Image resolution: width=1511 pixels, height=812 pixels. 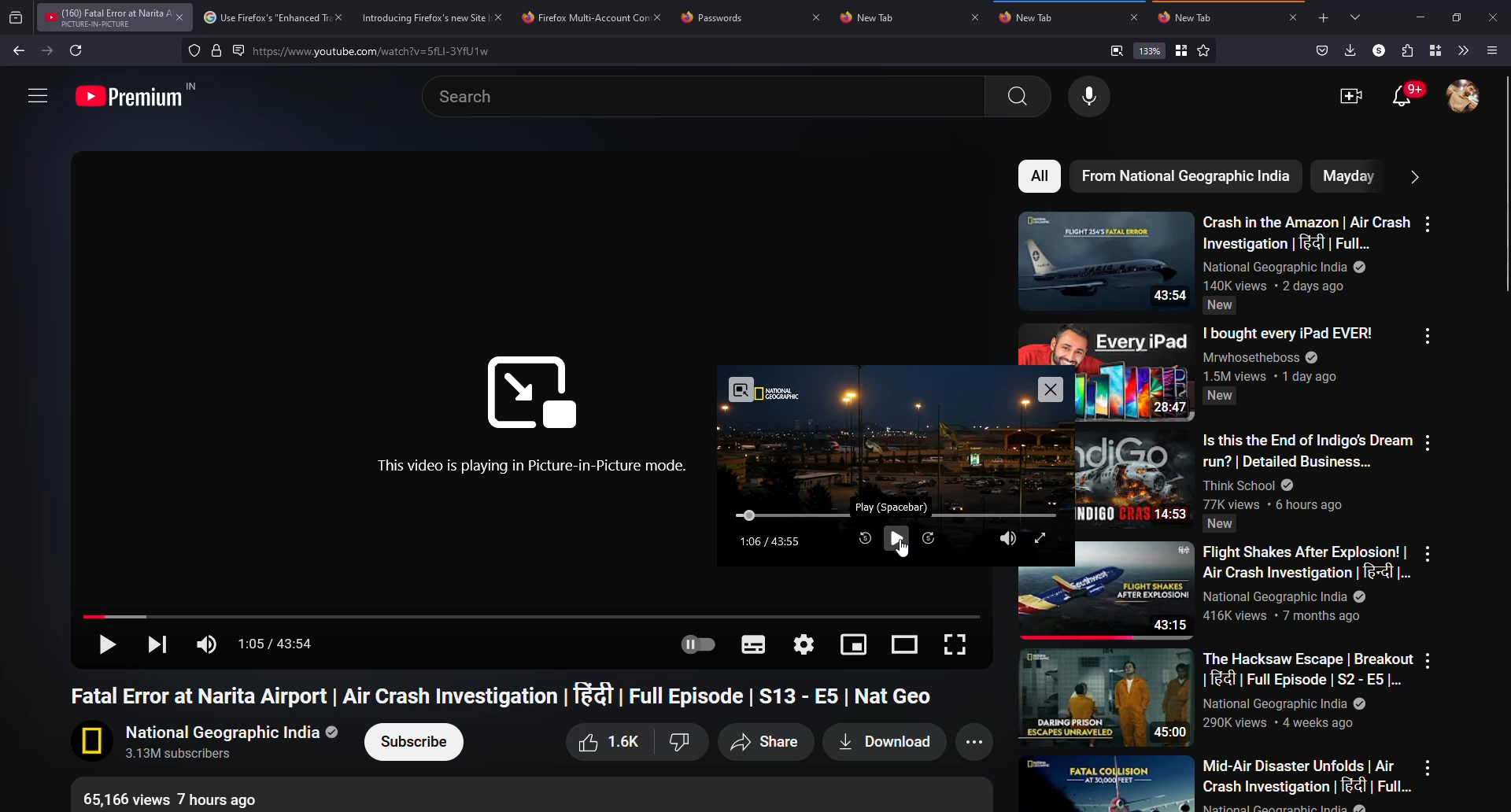 What do you see at coordinates (954, 644) in the screenshot?
I see `fullscreen` at bounding box center [954, 644].